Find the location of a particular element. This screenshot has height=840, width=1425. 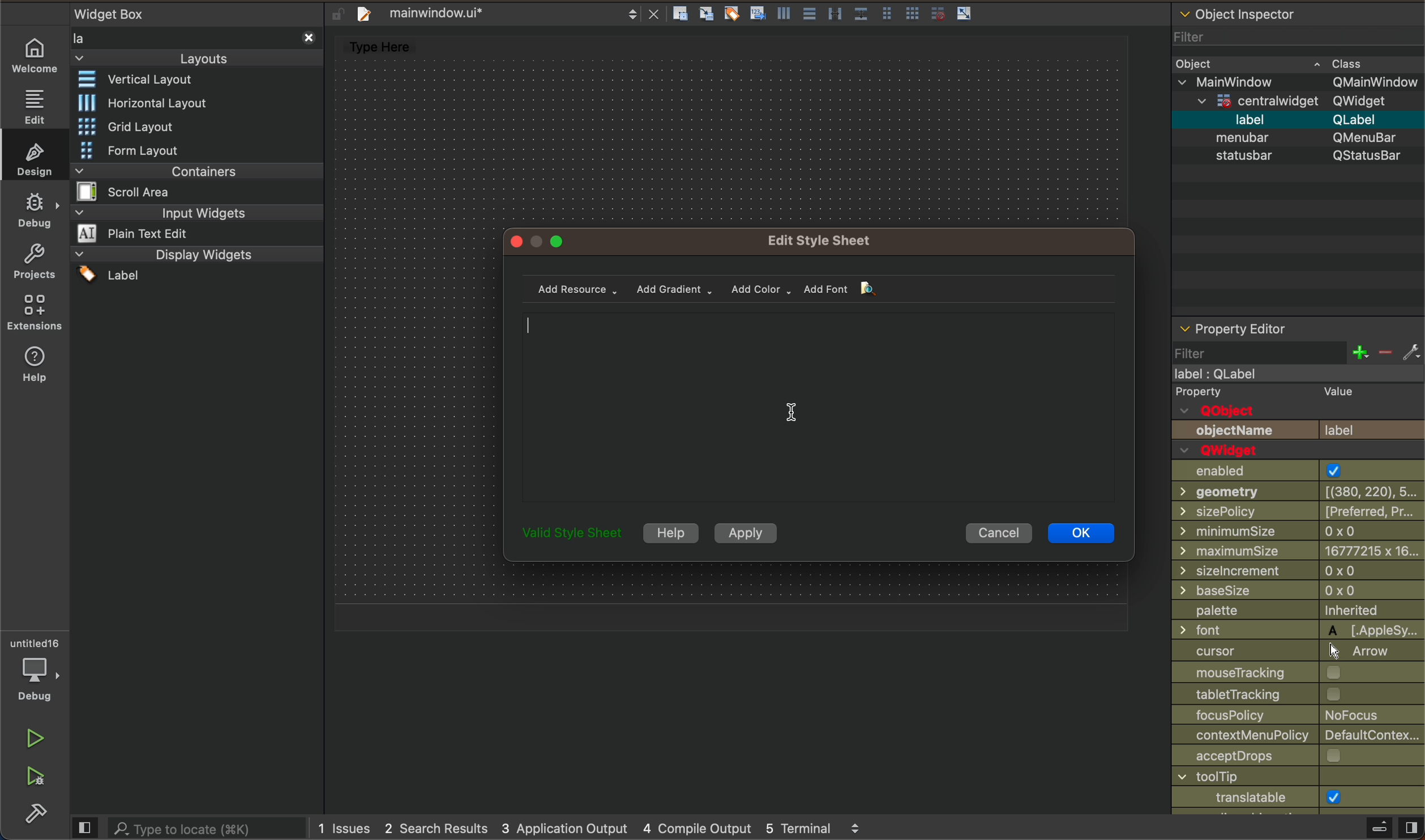

window icon is located at coordinates (1297, 796).